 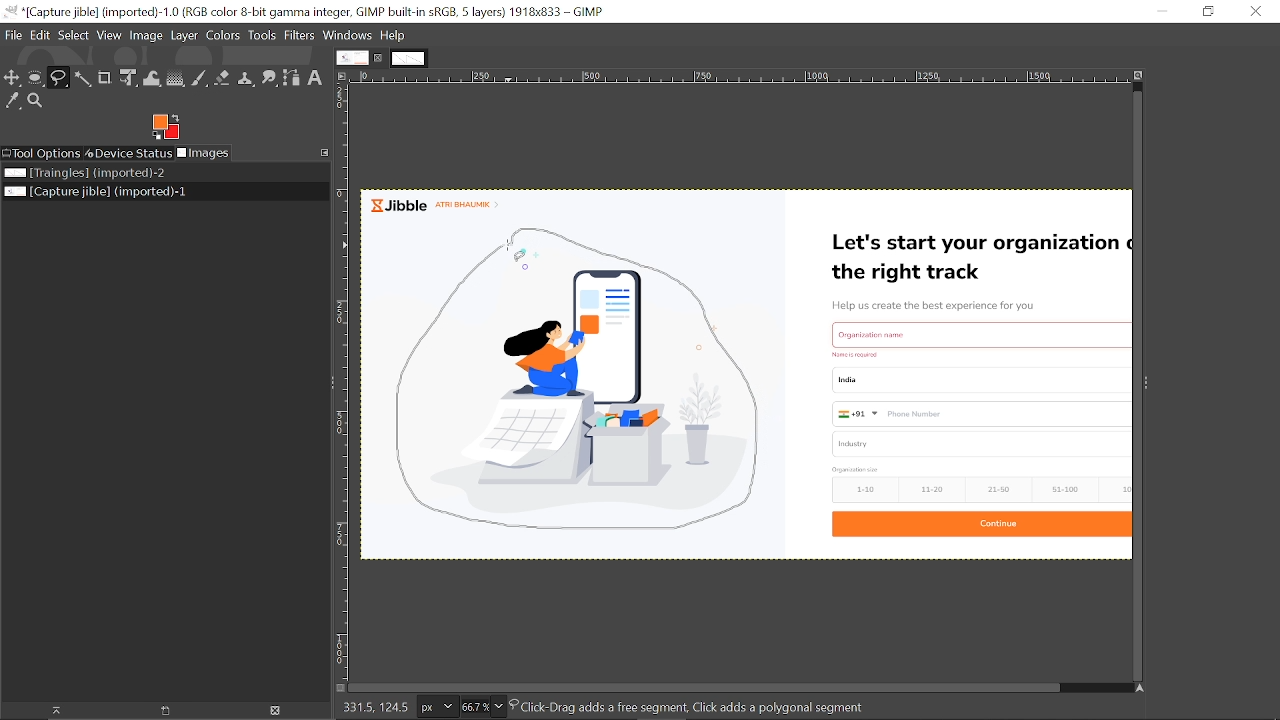 I want to click on Zoom tool, so click(x=35, y=100).